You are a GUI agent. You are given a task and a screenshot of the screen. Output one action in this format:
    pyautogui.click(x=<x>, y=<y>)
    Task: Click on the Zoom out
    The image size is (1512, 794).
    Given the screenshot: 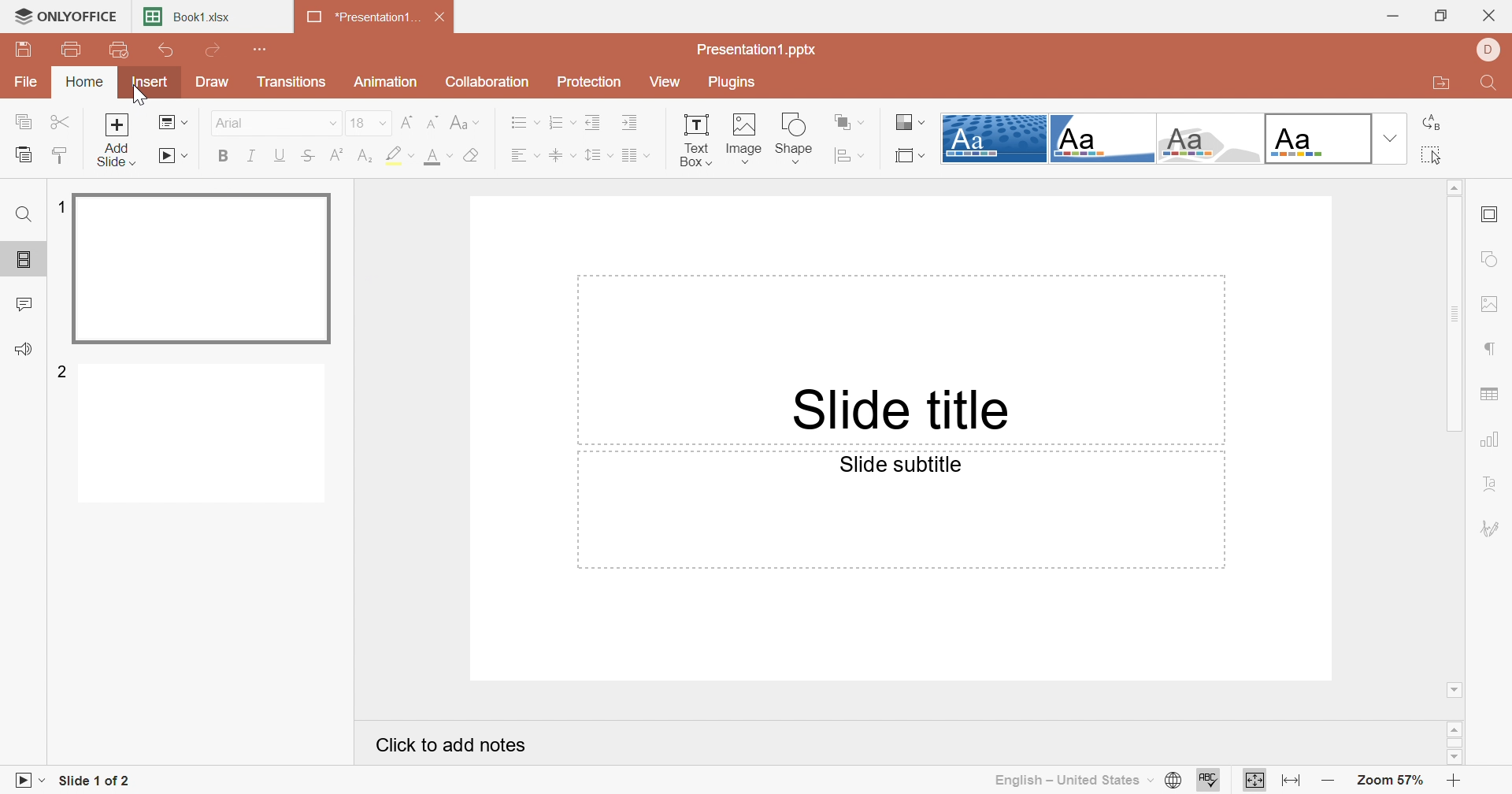 What is the action you would take?
    pyautogui.click(x=1329, y=784)
    